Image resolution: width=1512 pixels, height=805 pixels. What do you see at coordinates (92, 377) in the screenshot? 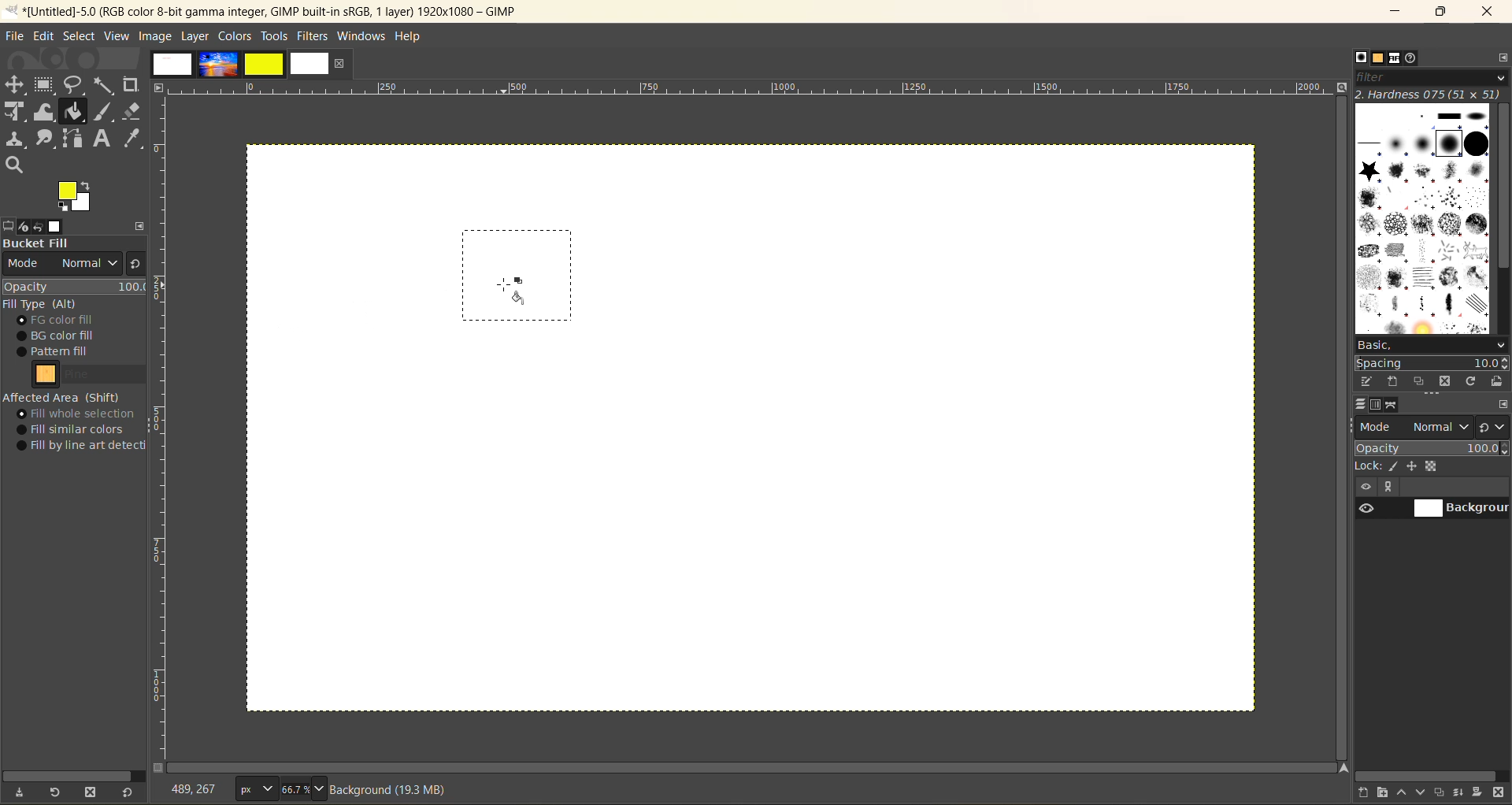
I see `pattern` at bounding box center [92, 377].